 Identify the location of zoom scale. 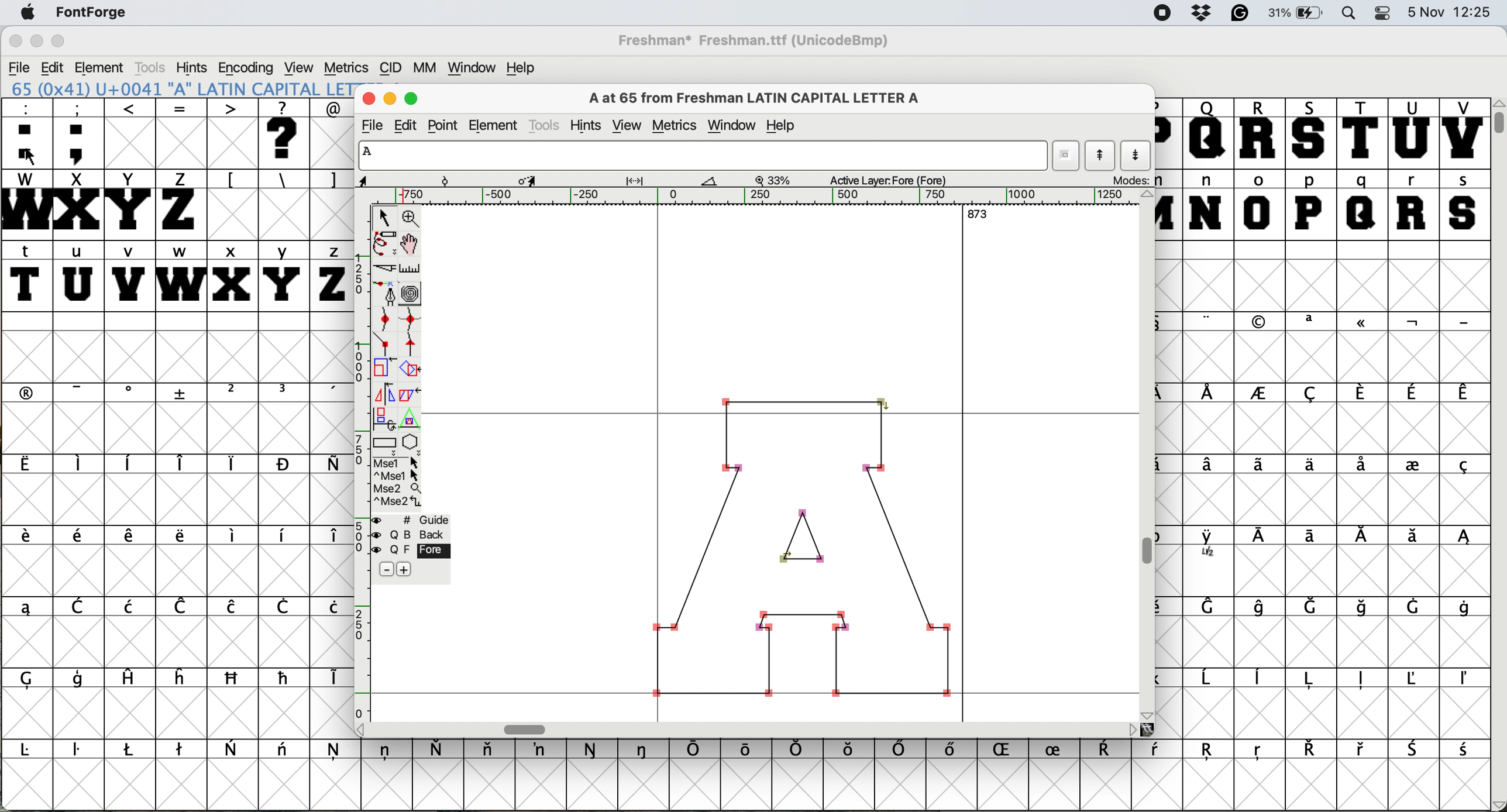
(776, 179).